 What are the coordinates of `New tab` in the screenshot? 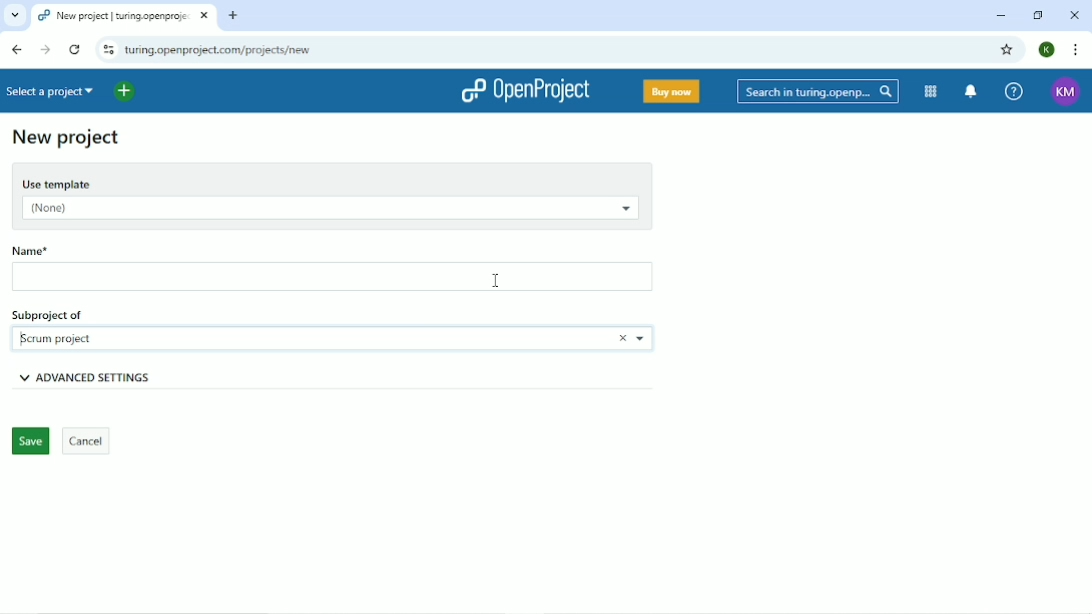 It's located at (234, 15).